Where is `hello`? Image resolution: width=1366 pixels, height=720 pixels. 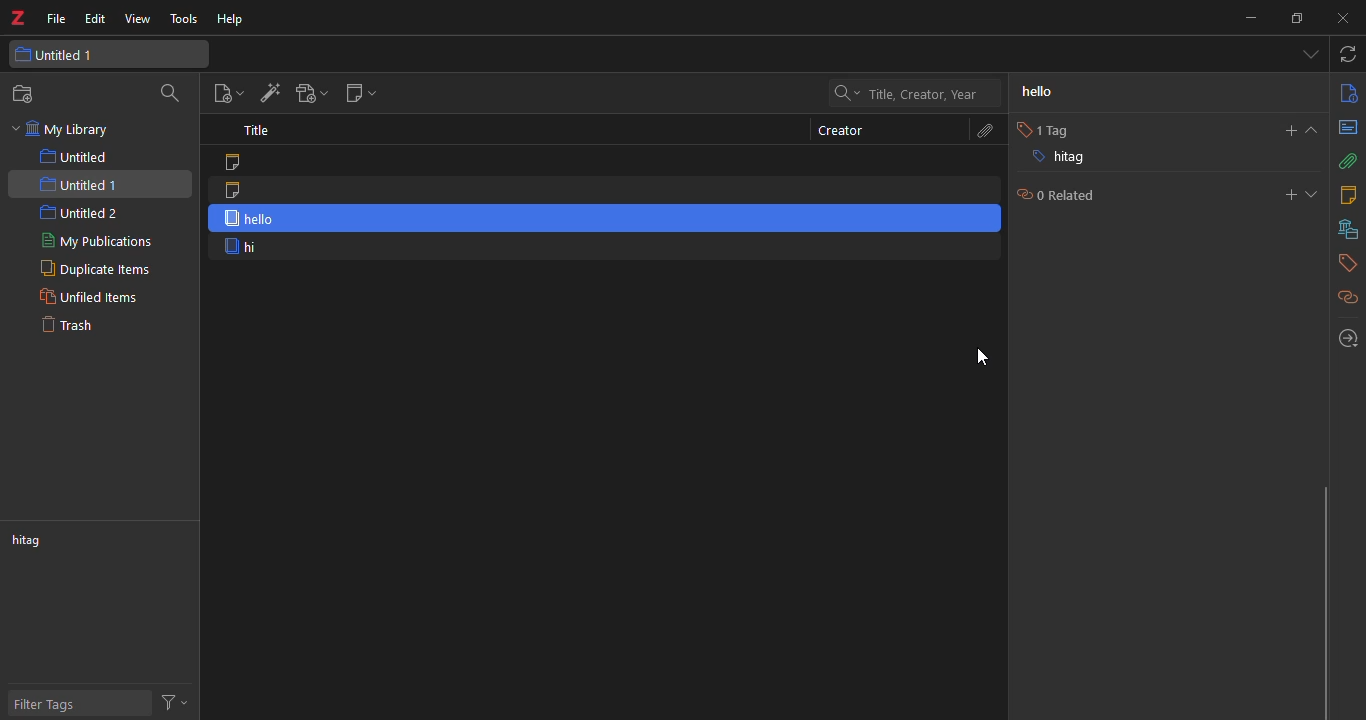 hello is located at coordinates (1037, 91).